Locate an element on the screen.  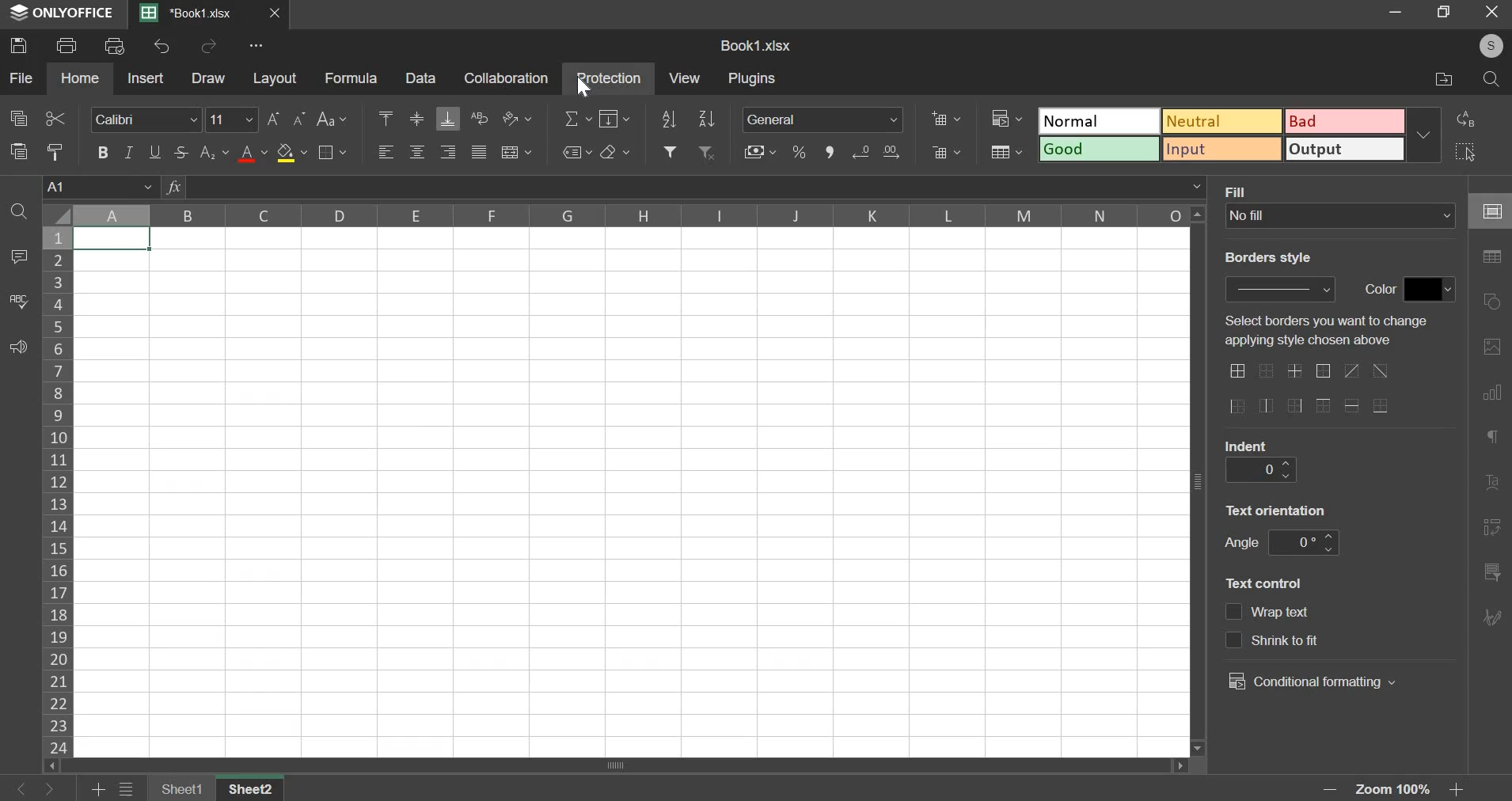
underline is located at coordinates (154, 152).